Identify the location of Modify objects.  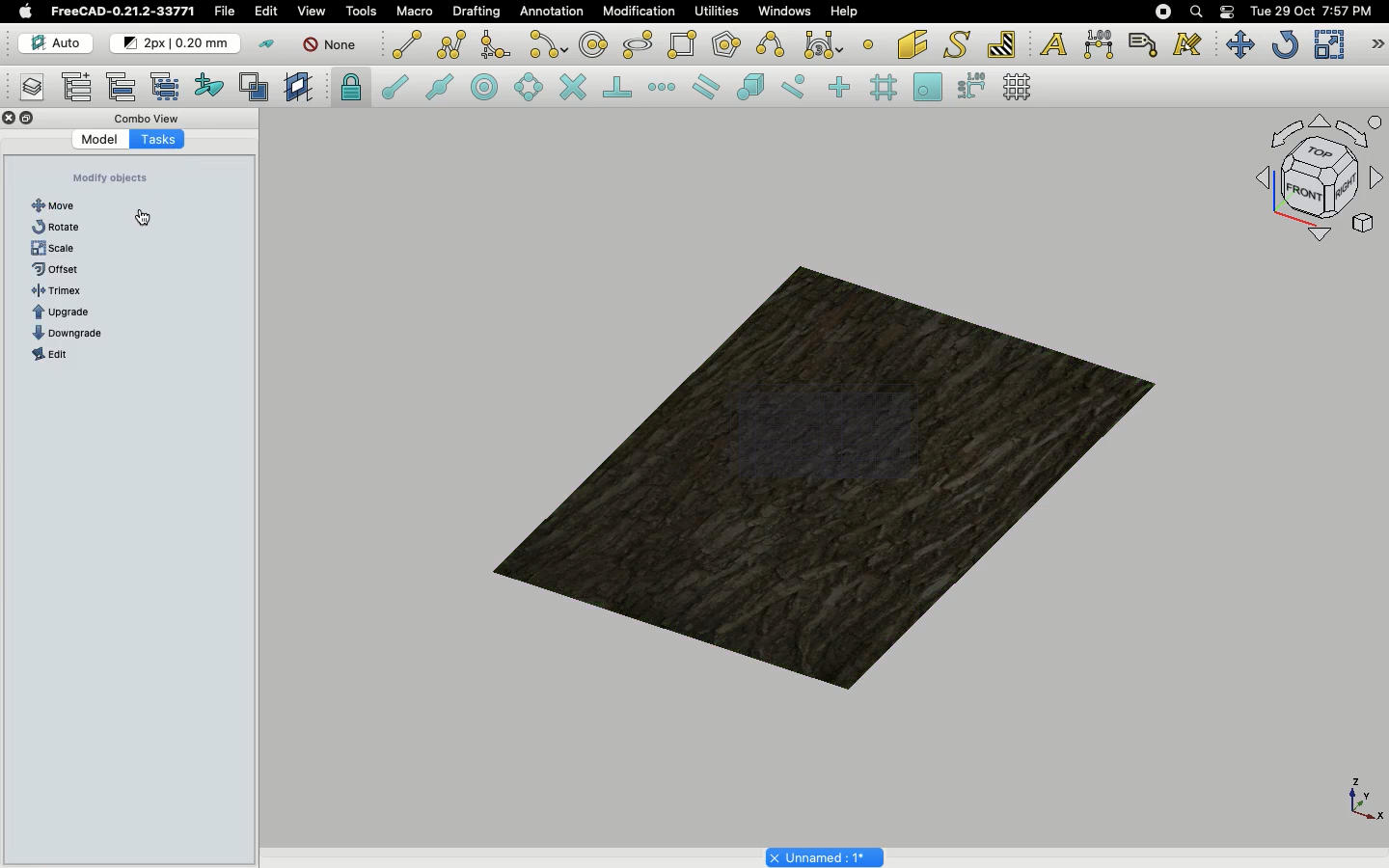
(110, 178).